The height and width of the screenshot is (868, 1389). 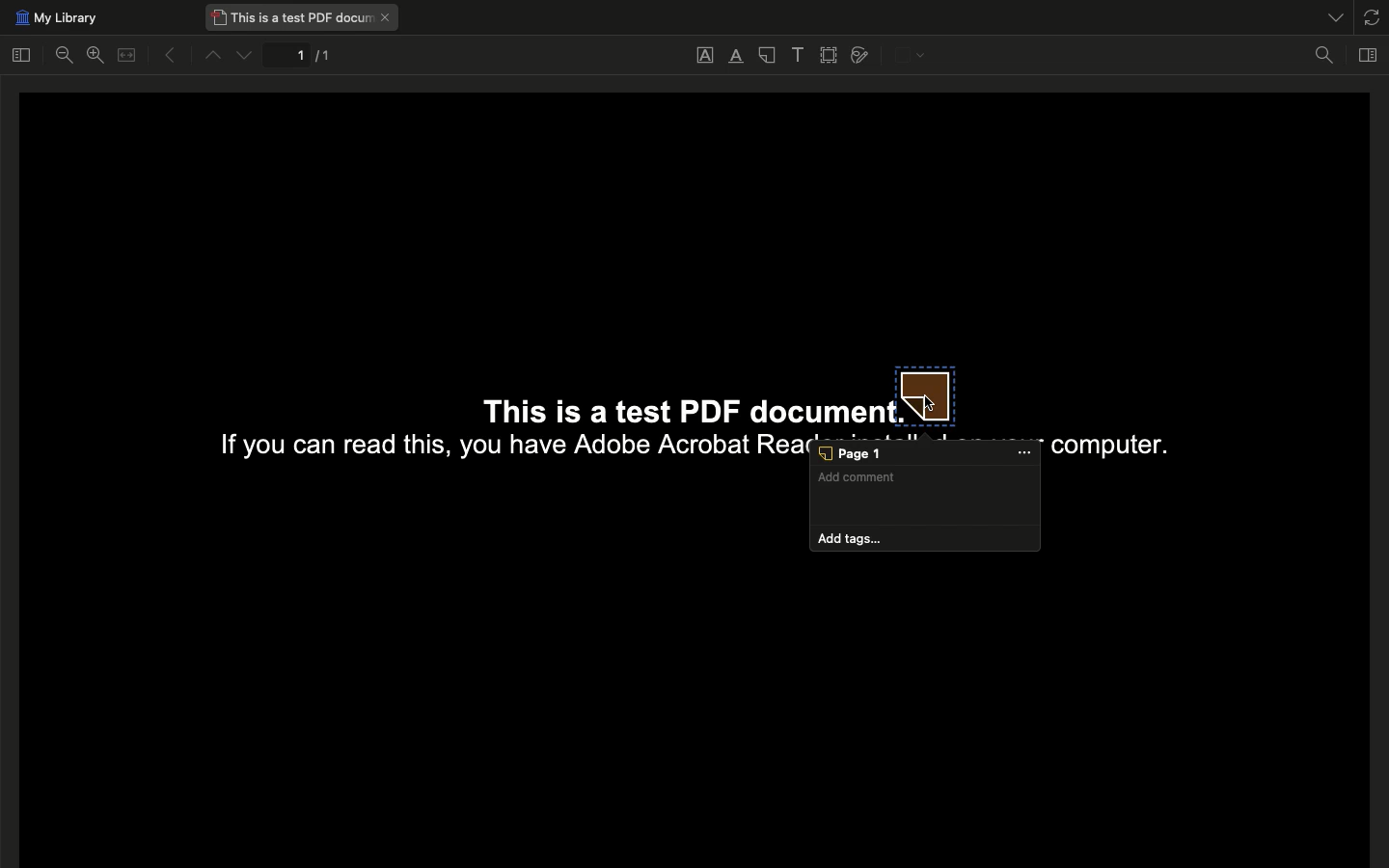 I want to click on Find in document, so click(x=1324, y=57).